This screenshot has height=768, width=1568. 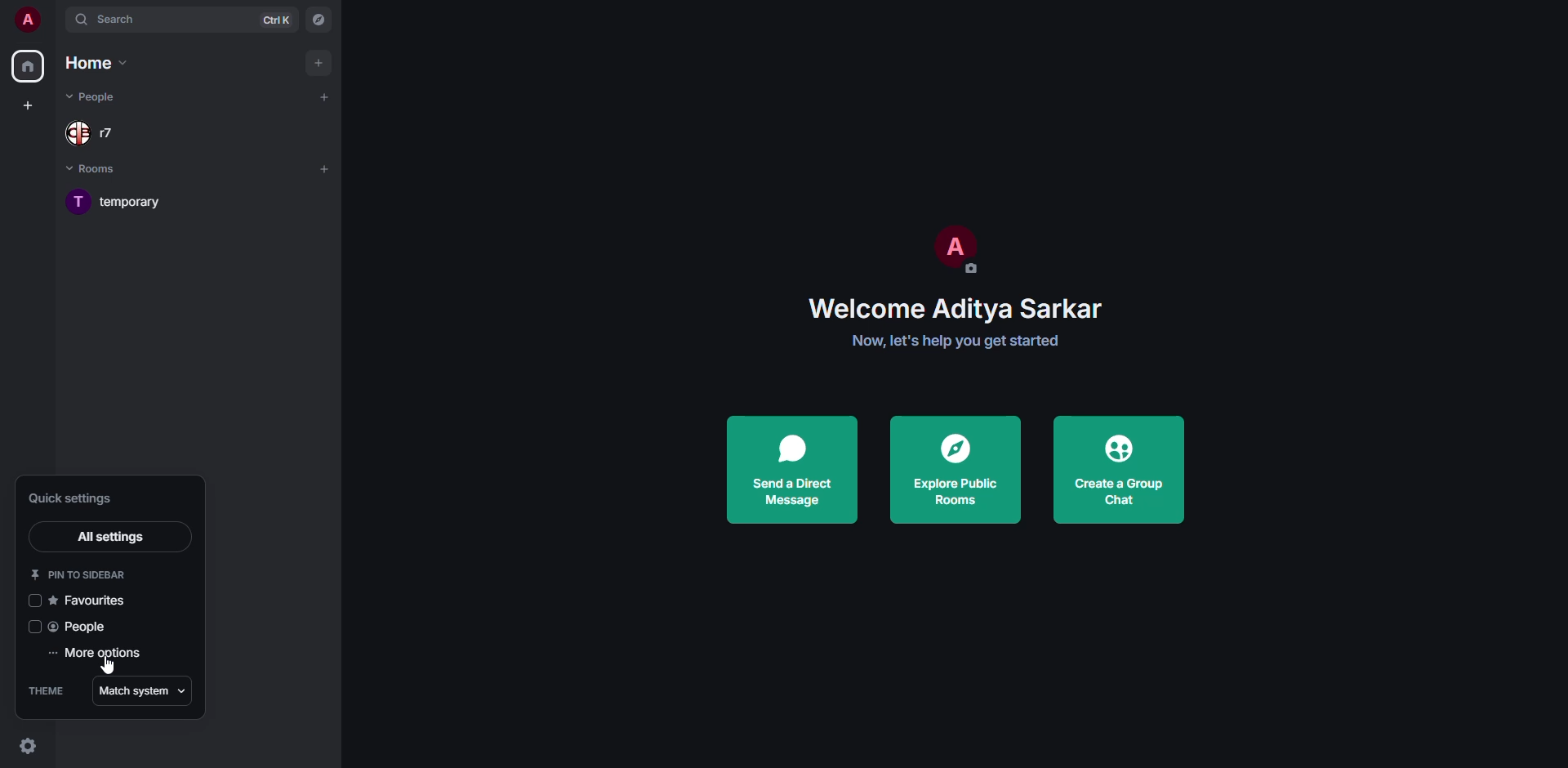 What do you see at coordinates (35, 601) in the screenshot?
I see `click to enable` at bounding box center [35, 601].